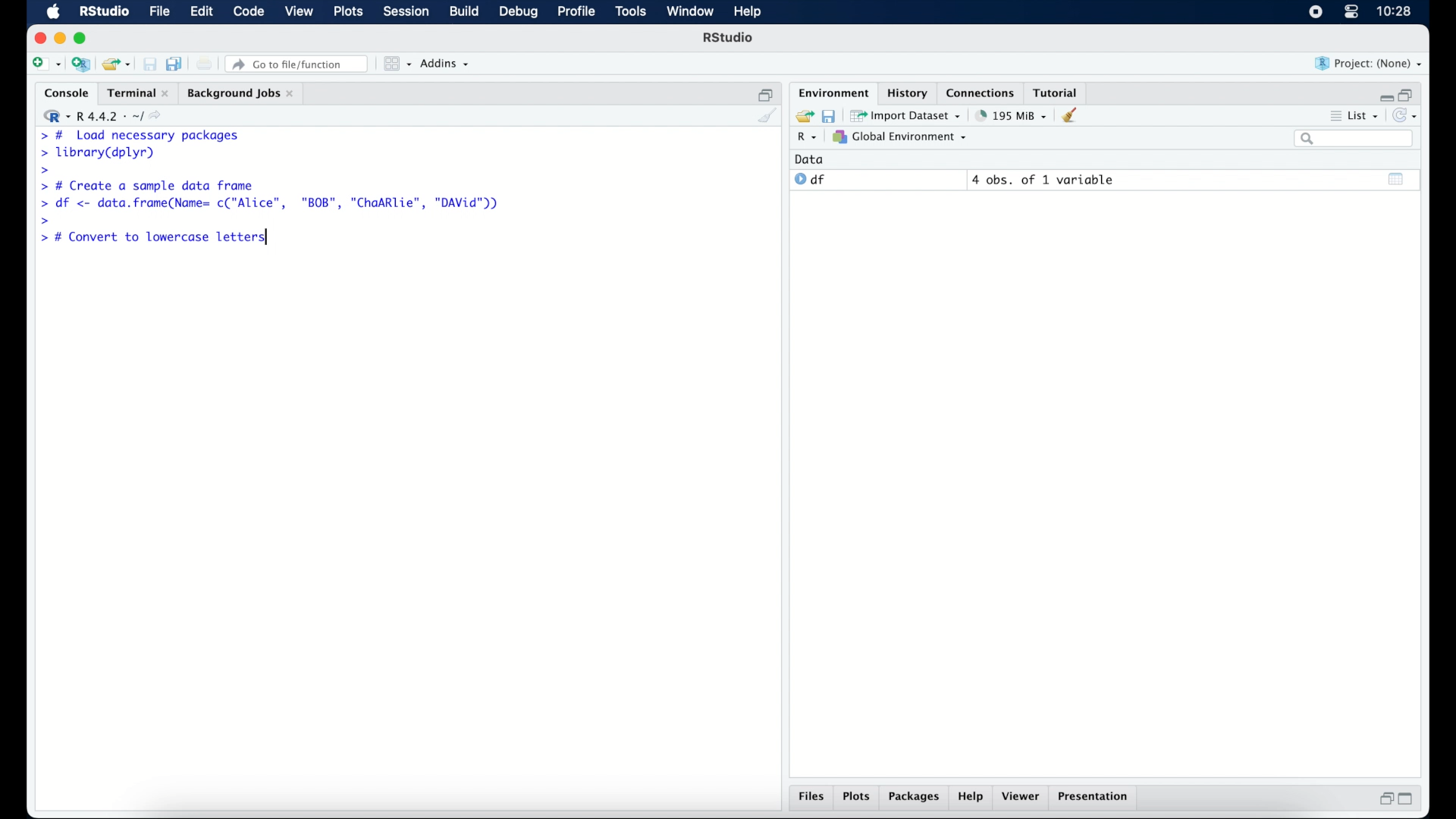 Image resolution: width=1456 pixels, height=819 pixels. Describe the element at coordinates (1095, 798) in the screenshot. I see `presentation` at that location.